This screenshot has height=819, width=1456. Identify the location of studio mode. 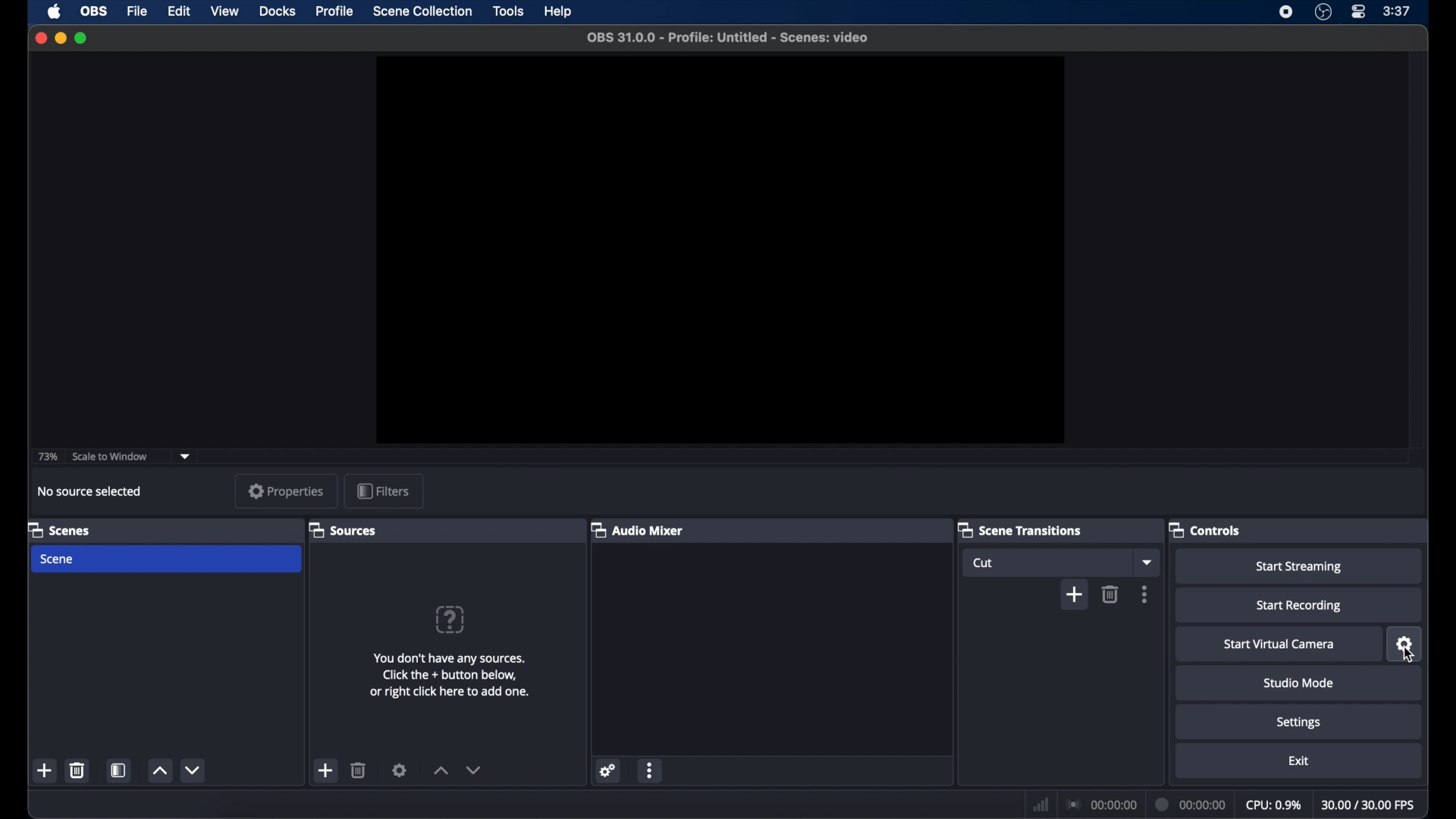
(1301, 683).